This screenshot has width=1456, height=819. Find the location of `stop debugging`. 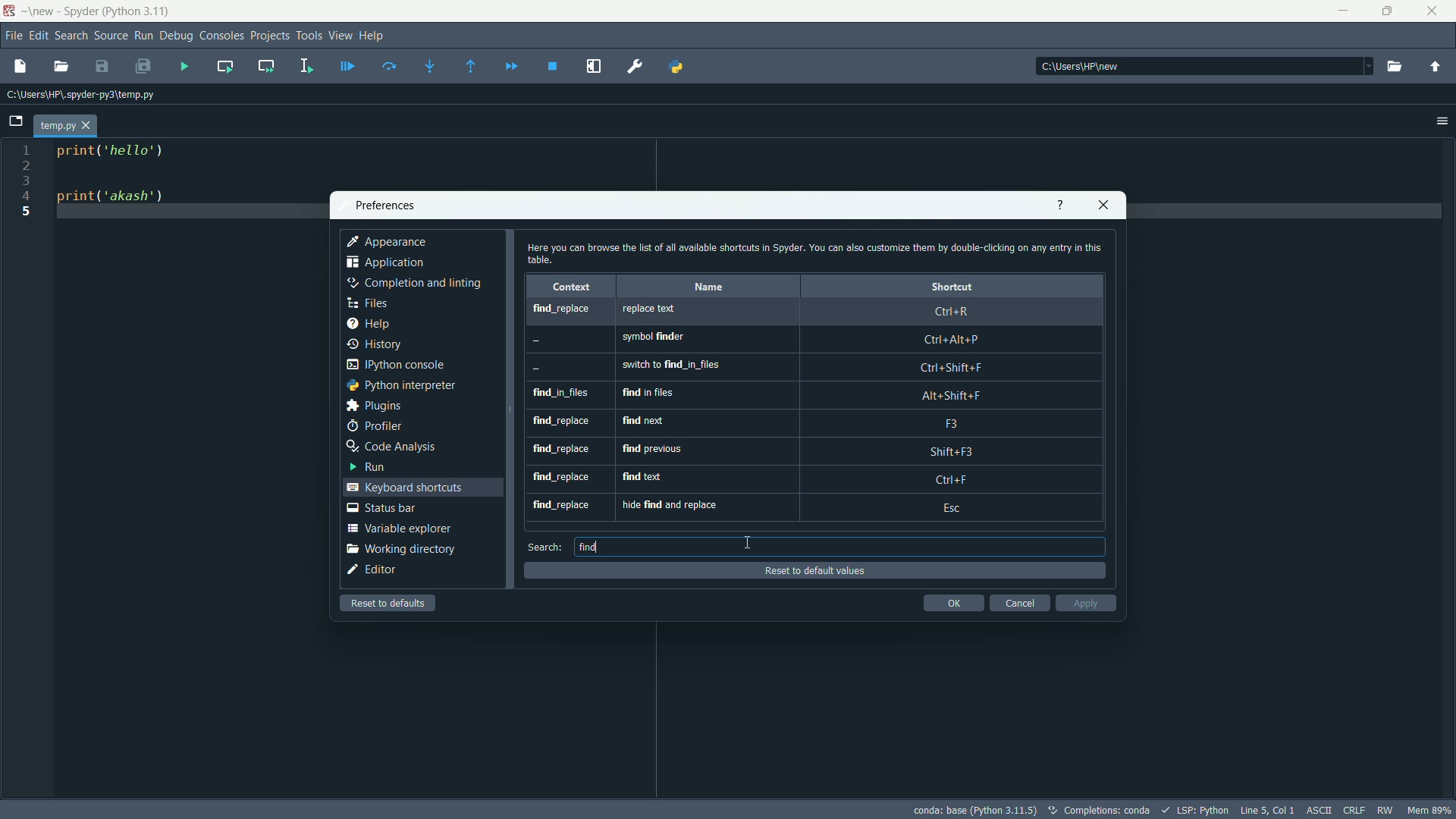

stop debugging is located at coordinates (554, 67).